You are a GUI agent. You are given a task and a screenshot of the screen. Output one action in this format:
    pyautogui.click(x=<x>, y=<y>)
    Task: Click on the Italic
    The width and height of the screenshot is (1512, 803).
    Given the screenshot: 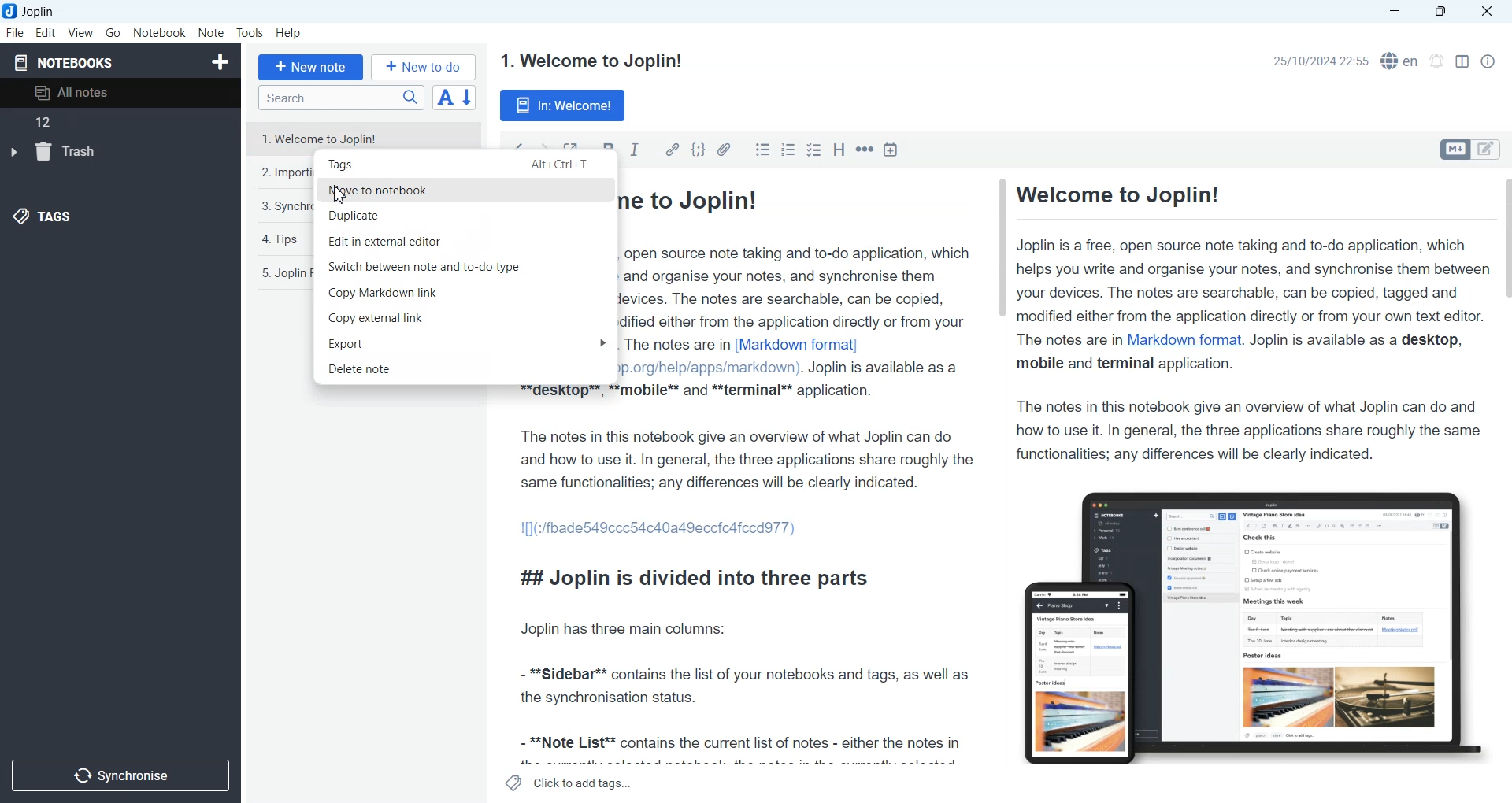 What is the action you would take?
    pyautogui.click(x=636, y=150)
    